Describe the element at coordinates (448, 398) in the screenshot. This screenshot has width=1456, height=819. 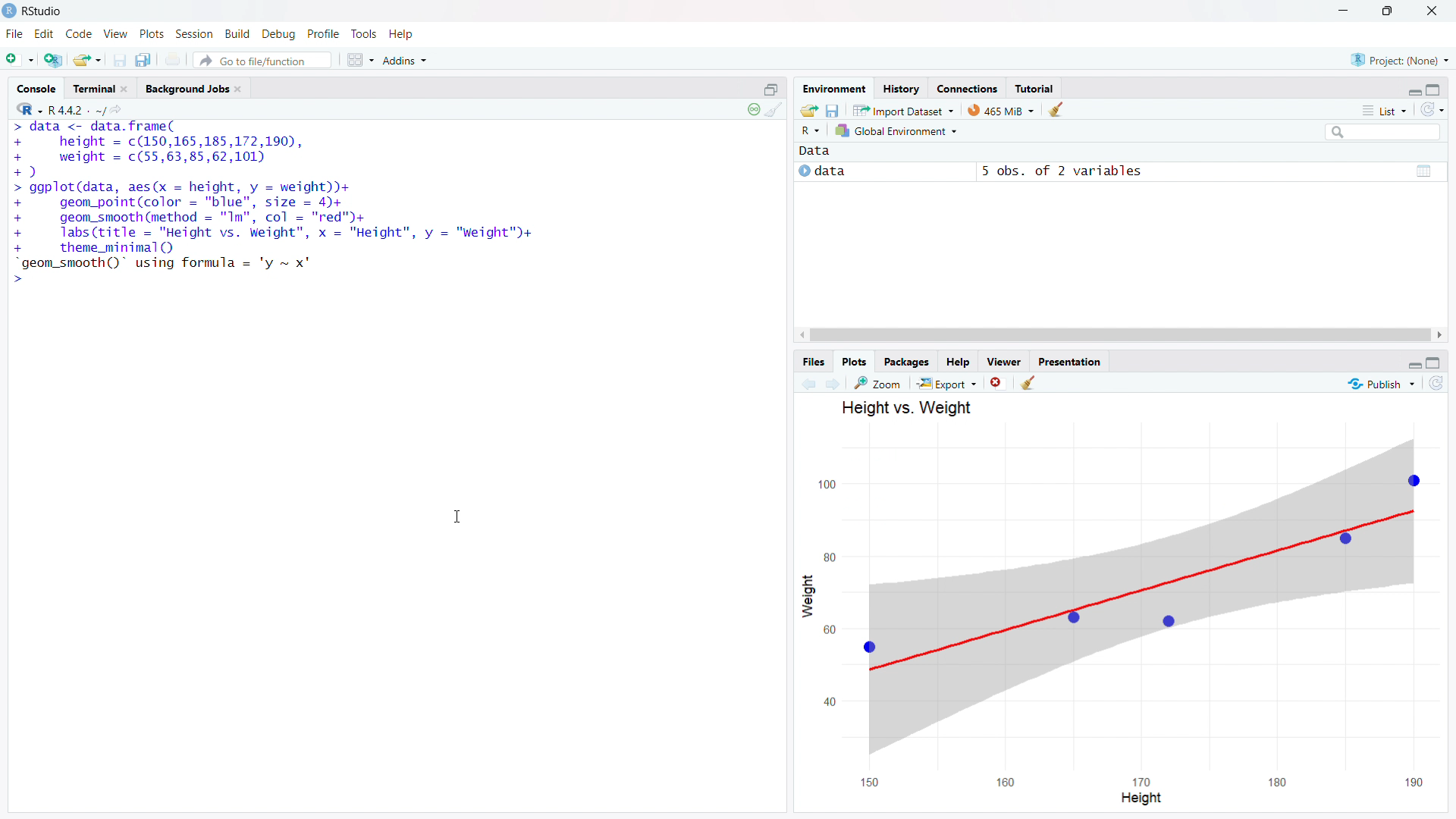
I see `` at that location.